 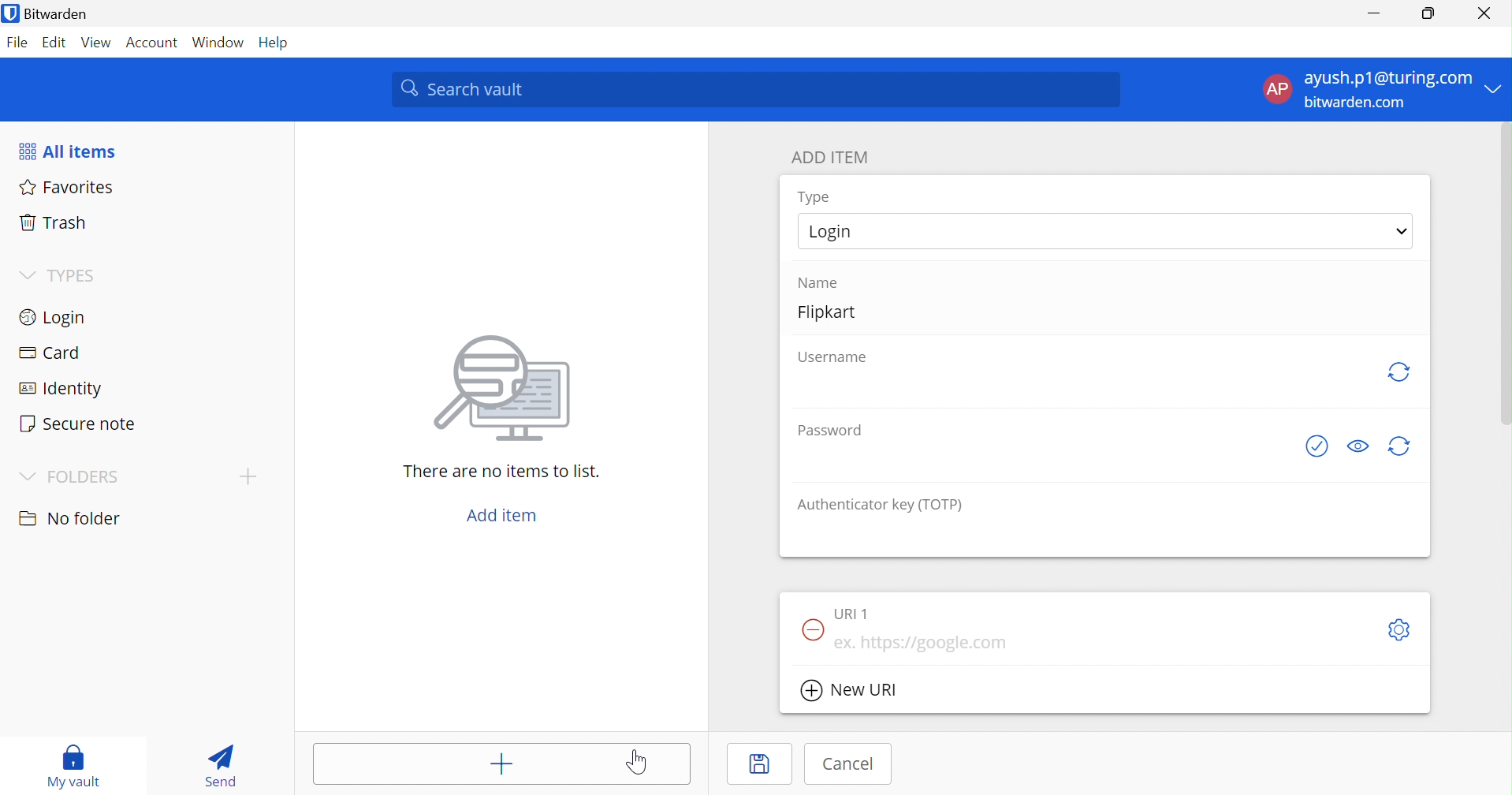 I want to click on Drop Down, so click(x=1496, y=88).